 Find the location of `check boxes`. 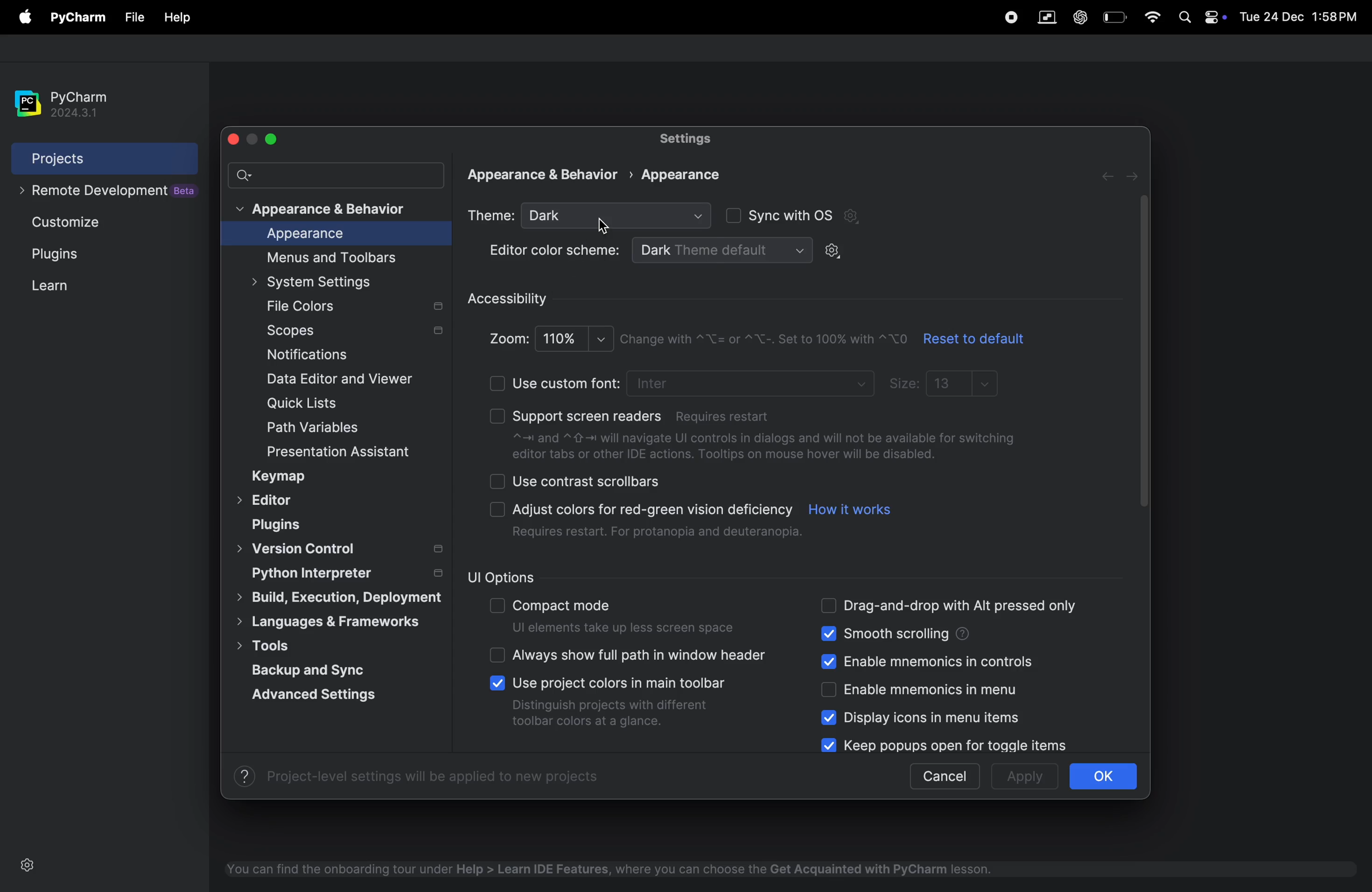

check boxes is located at coordinates (497, 415).